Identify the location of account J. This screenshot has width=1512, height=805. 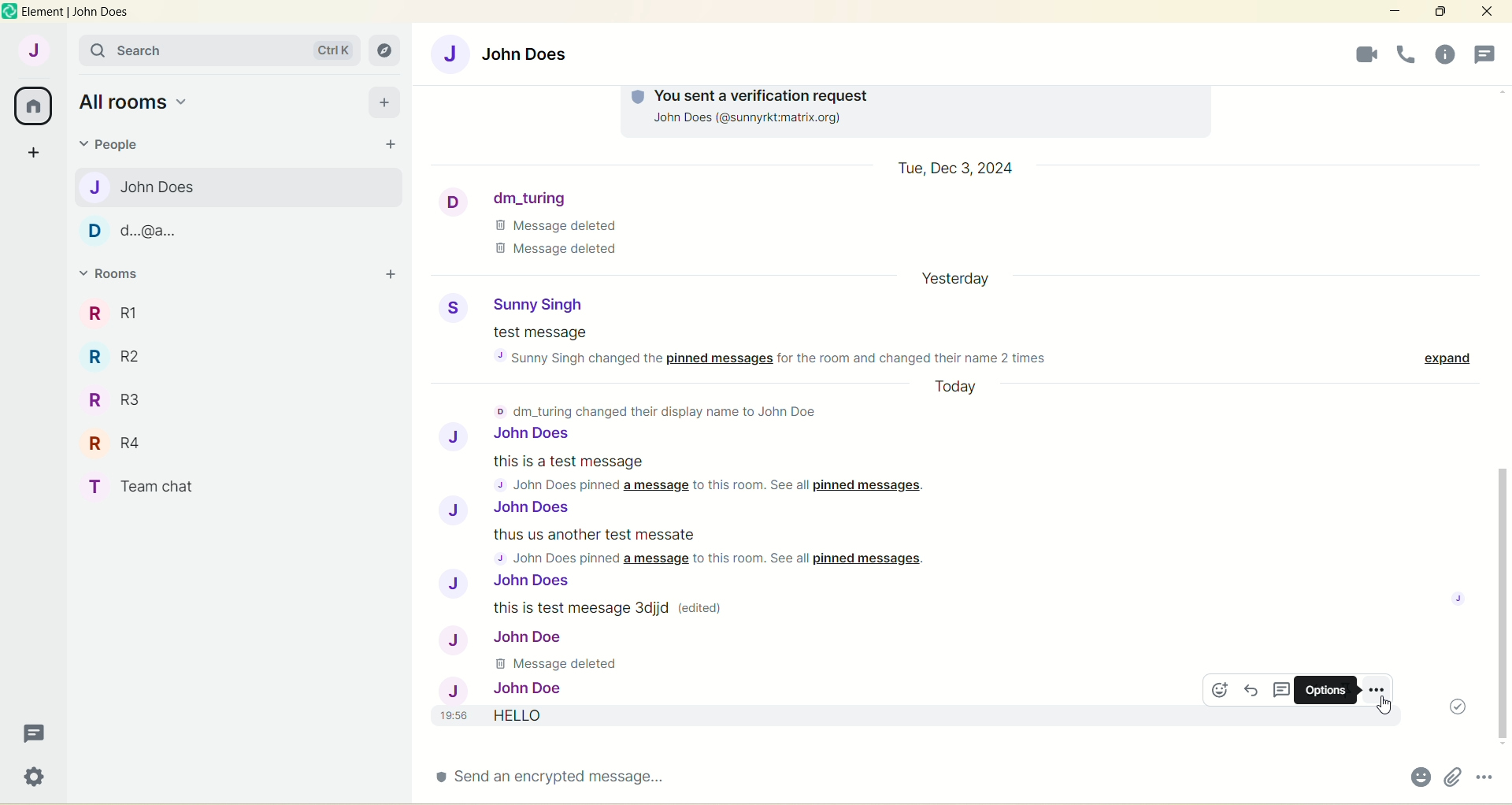
(31, 51).